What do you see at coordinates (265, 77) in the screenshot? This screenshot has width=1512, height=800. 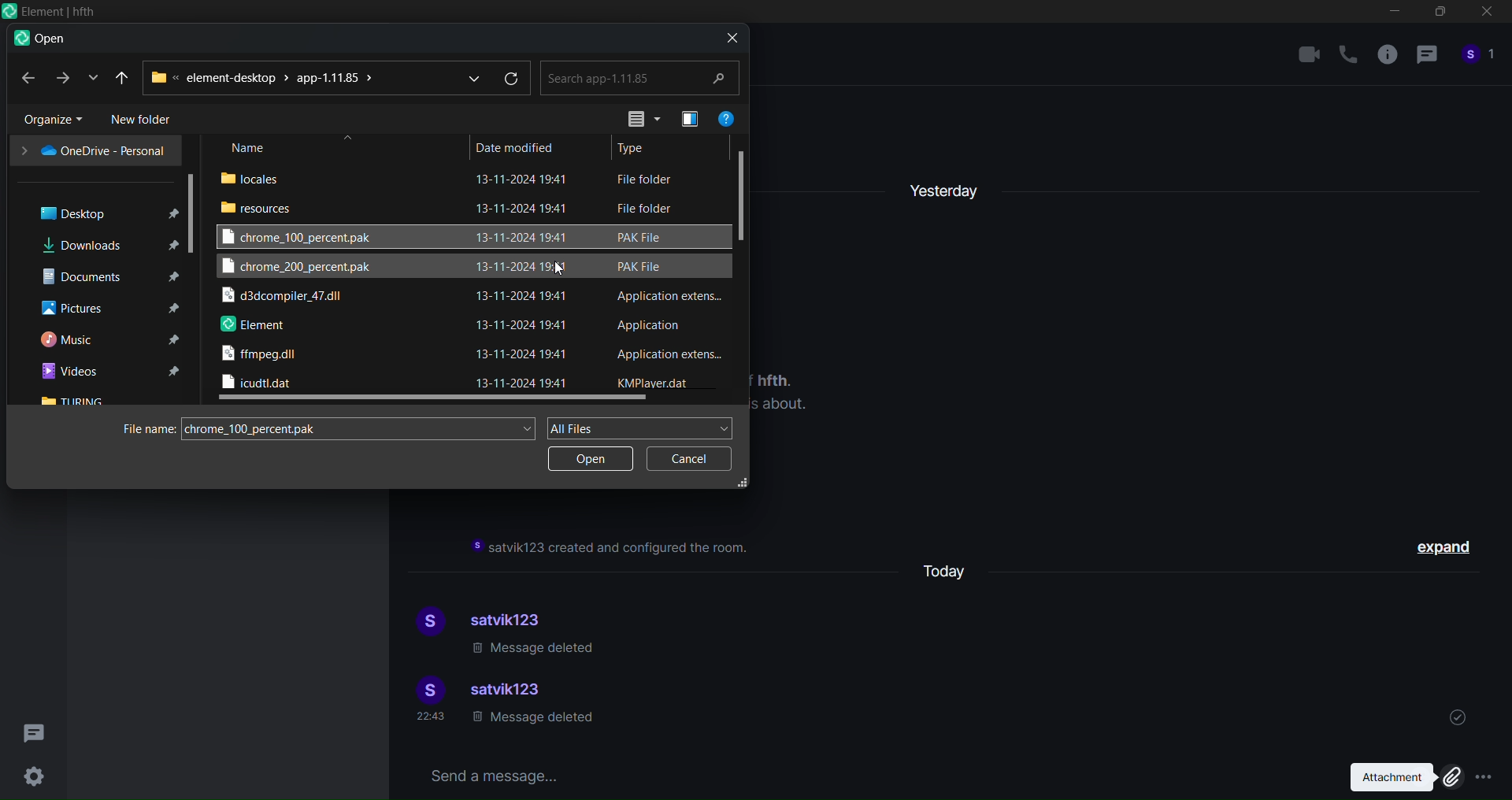 I see `path` at bounding box center [265, 77].